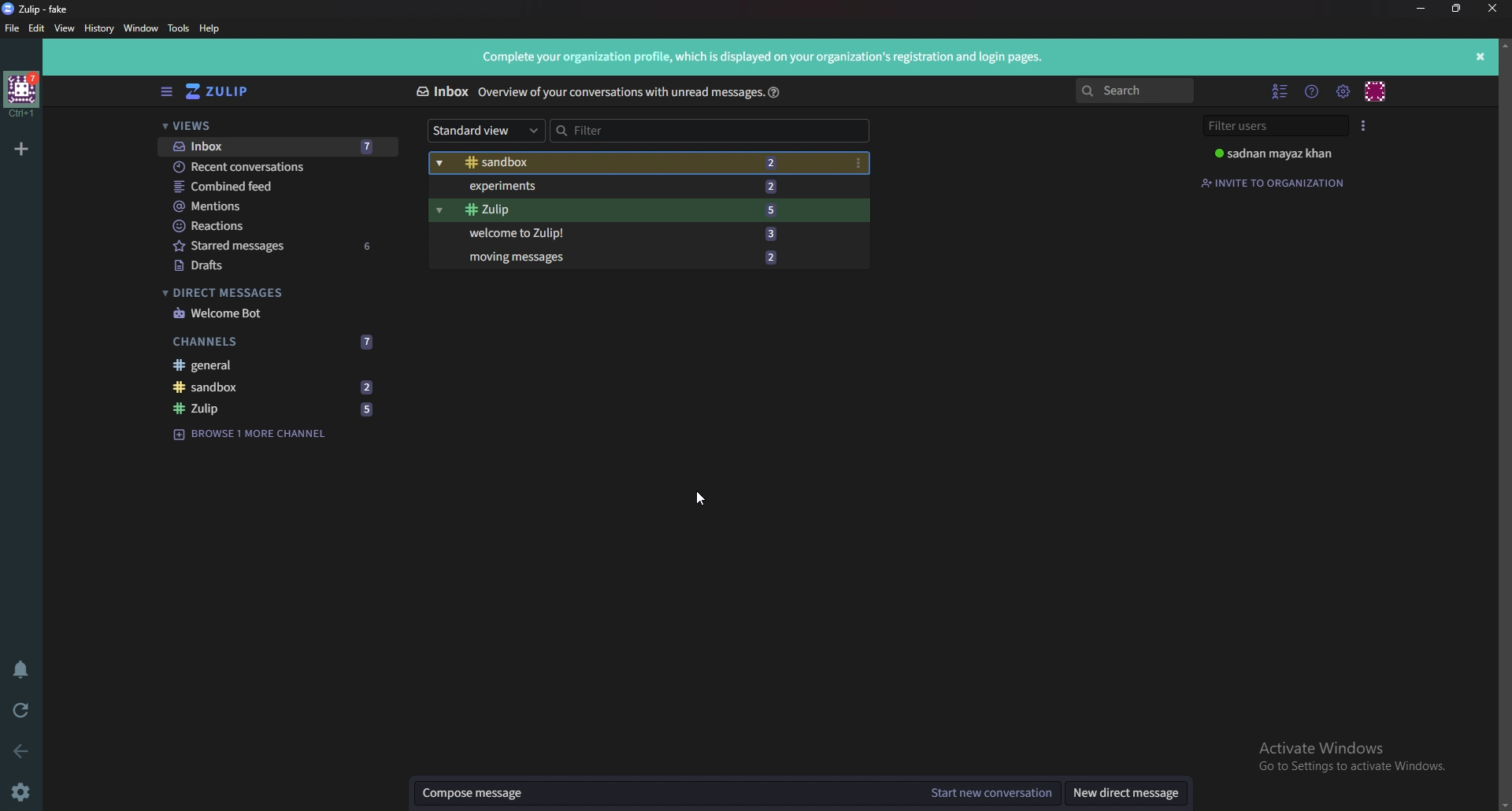 The width and height of the screenshot is (1512, 811). Describe the element at coordinates (143, 28) in the screenshot. I see `Window` at that location.